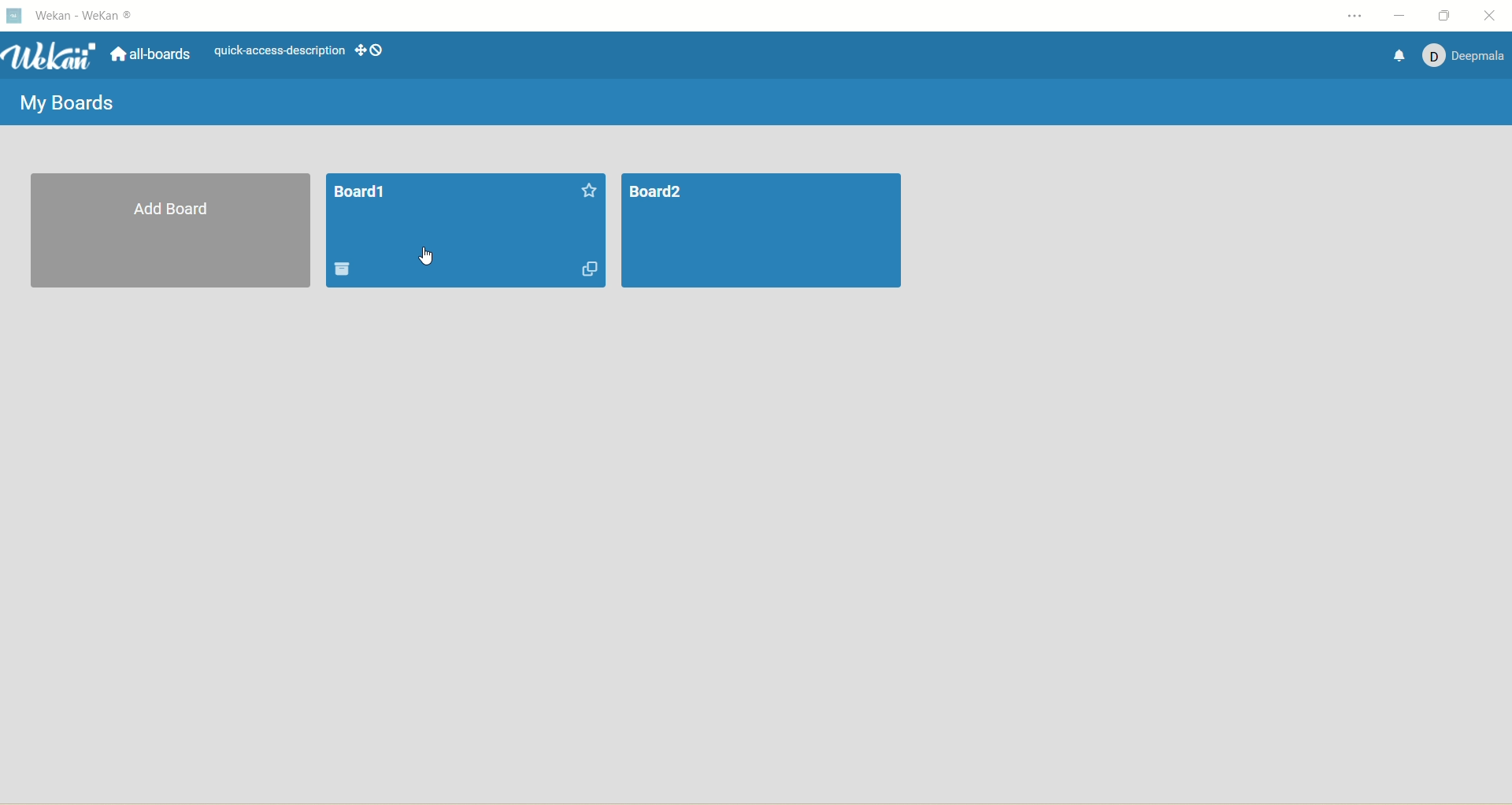 The height and width of the screenshot is (805, 1512). I want to click on all boards, so click(150, 52).